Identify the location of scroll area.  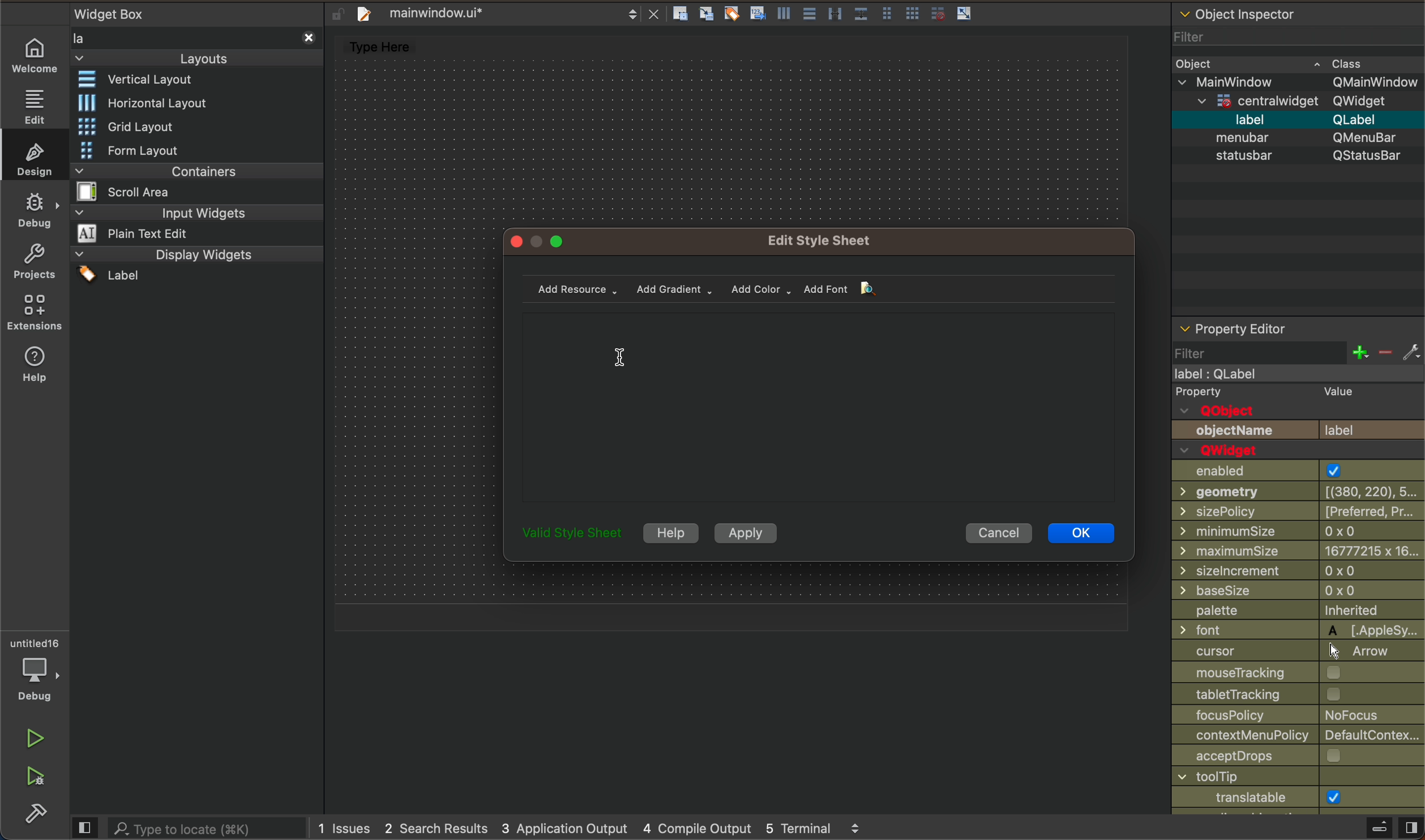
(142, 191).